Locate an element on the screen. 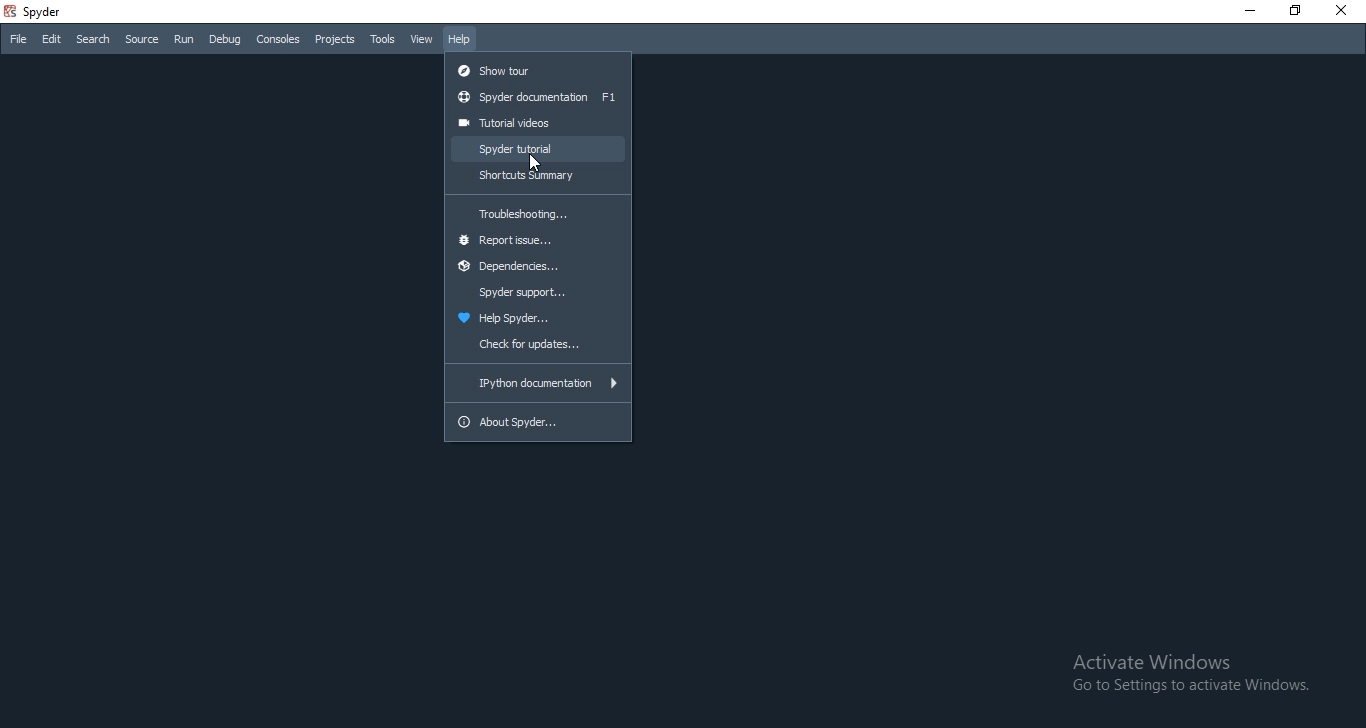  Edit is located at coordinates (51, 40).